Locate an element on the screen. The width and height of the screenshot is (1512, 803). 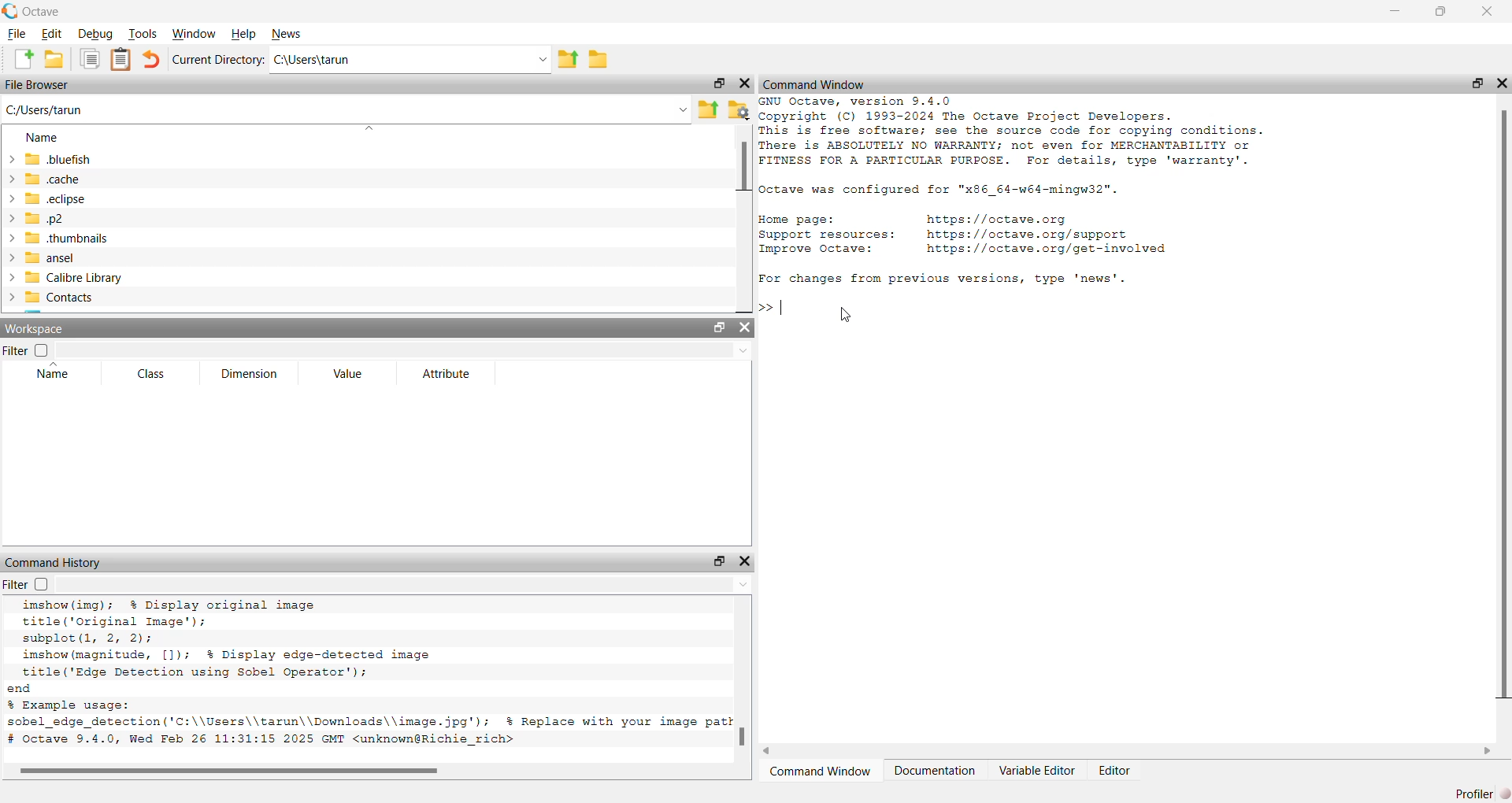
document clipboard is located at coordinates (119, 57).